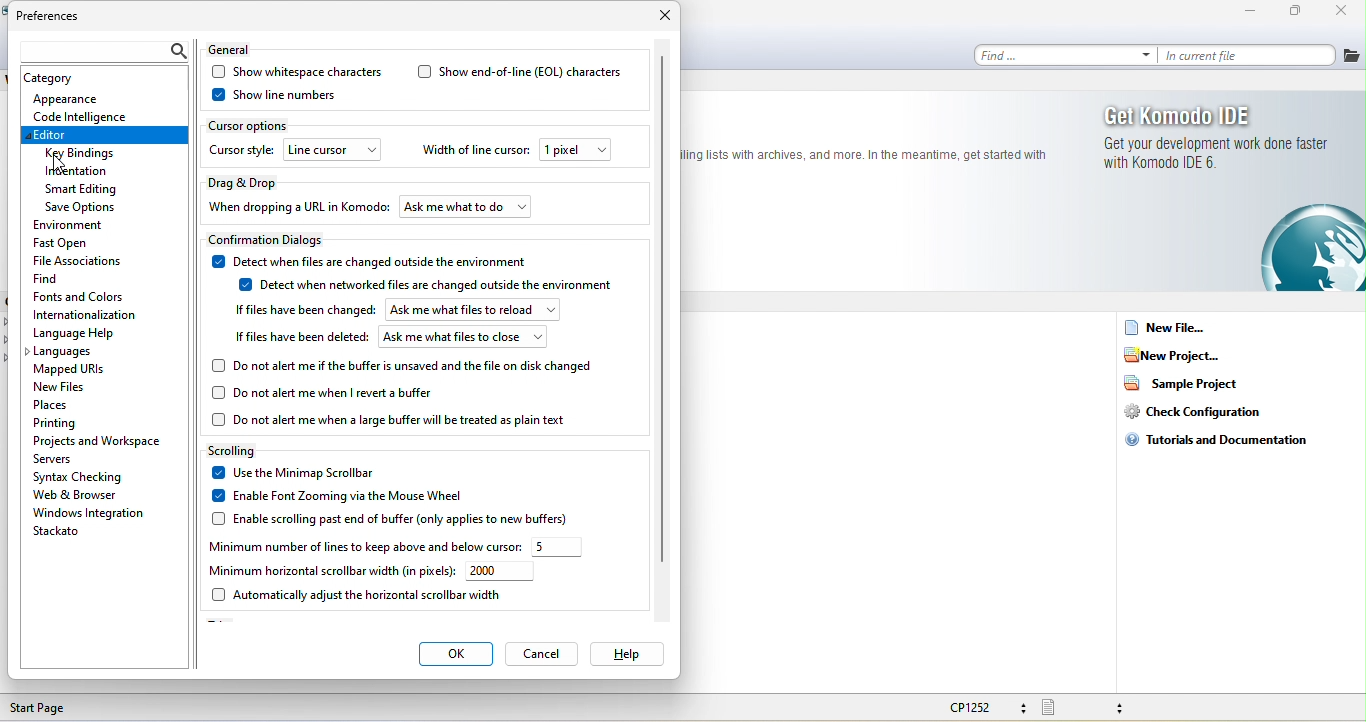 This screenshot has width=1366, height=722. I want to click on cp1252, so click(984, 707).